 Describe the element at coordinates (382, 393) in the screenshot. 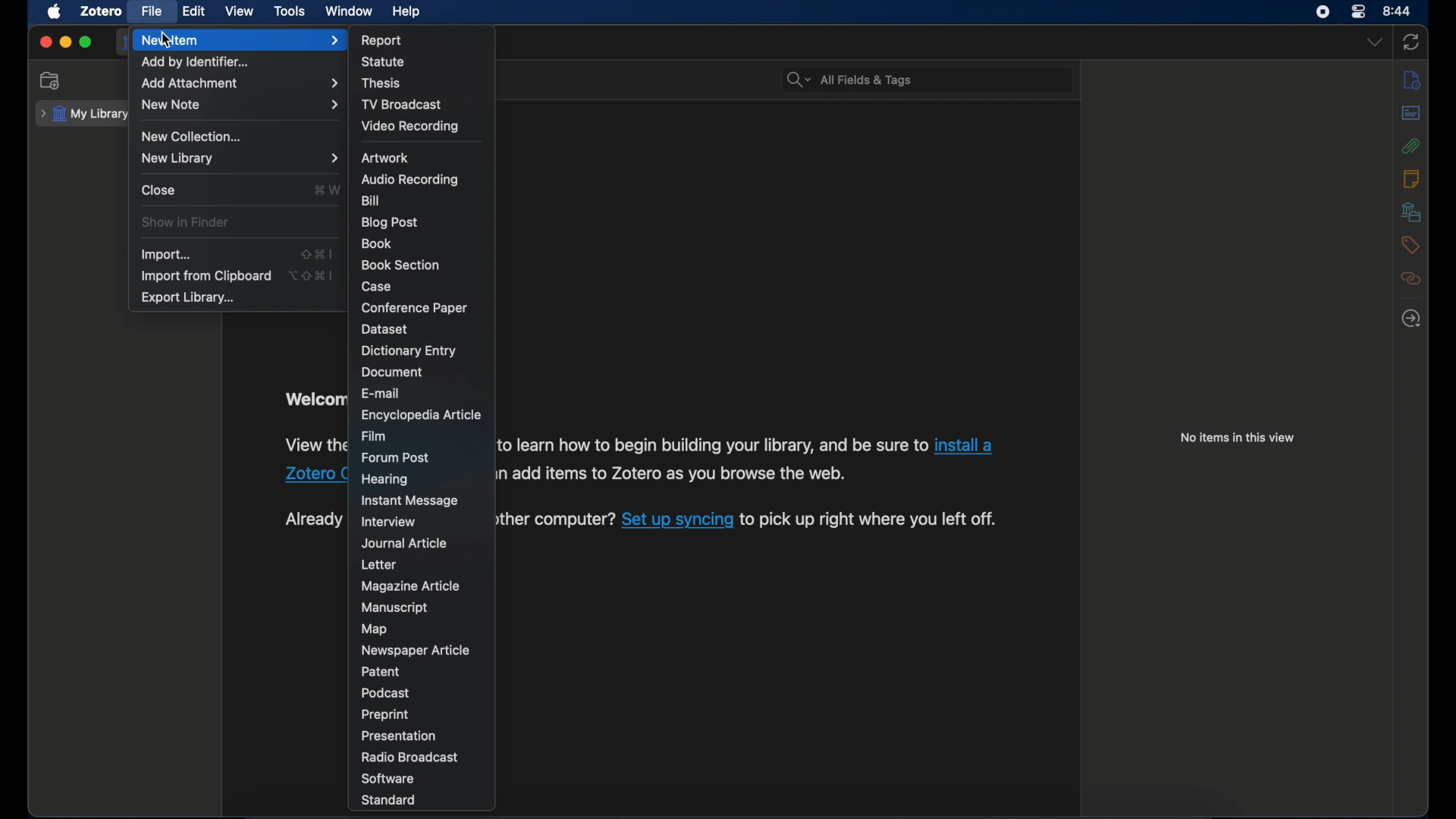

I see `e-mail` at that location.